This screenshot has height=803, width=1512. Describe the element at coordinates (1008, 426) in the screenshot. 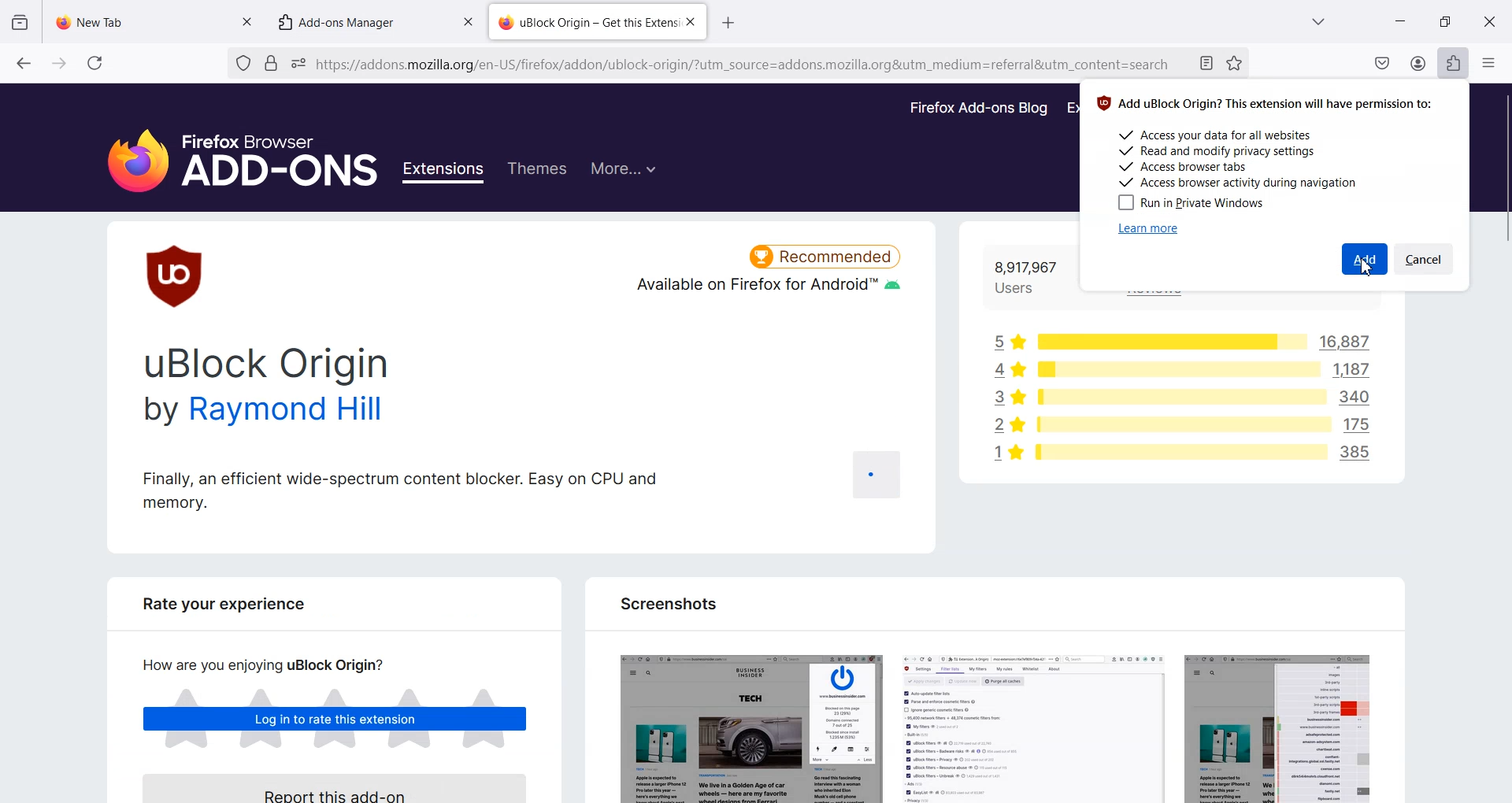

I see `2 star rating` at that location.